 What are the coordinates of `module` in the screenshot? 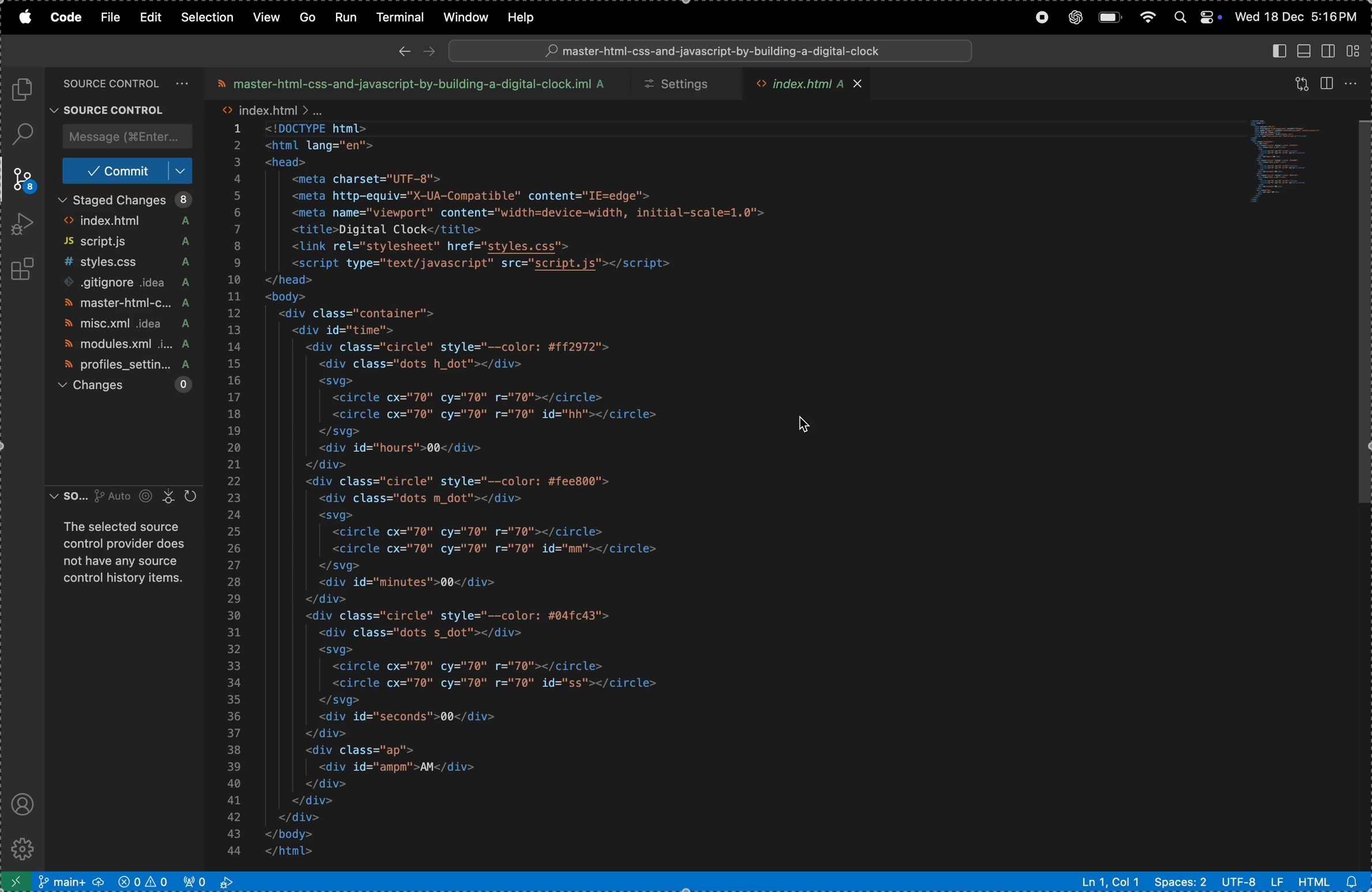 It's located at (121, 347).